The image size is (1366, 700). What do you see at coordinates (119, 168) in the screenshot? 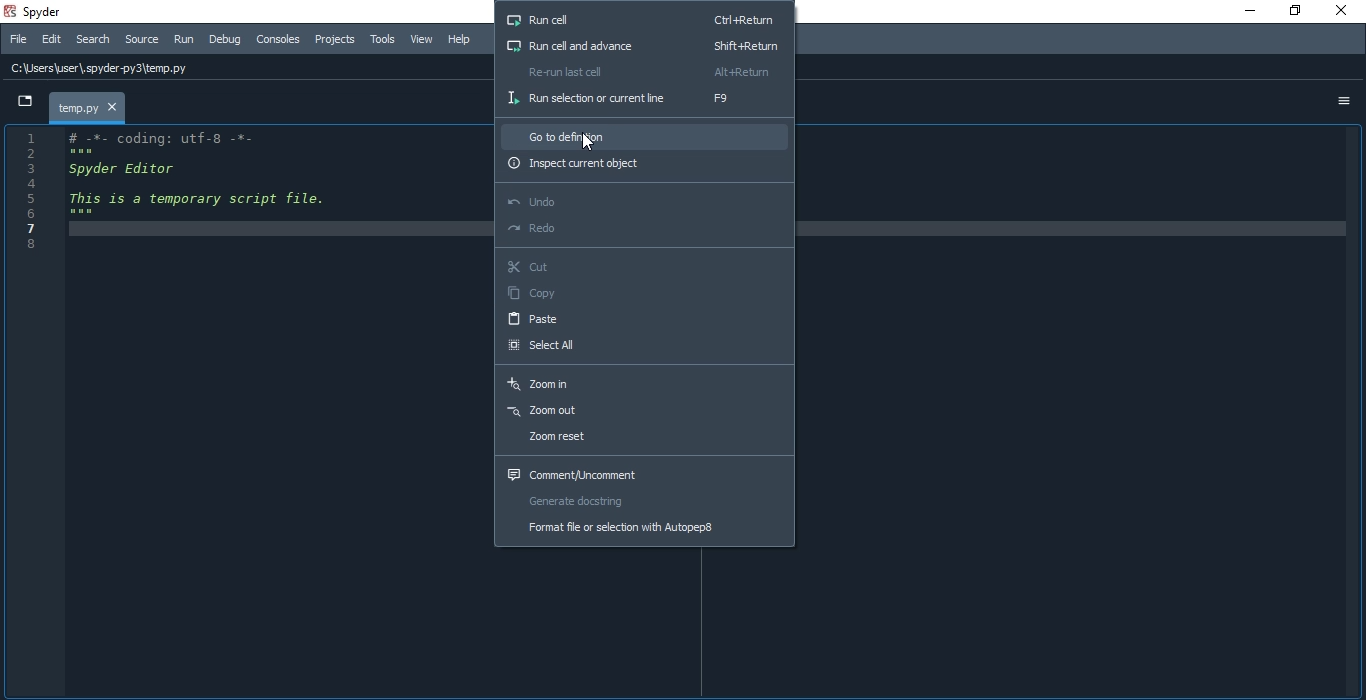
I see `3 Spyder Editor` at bounding box center [119, 168].